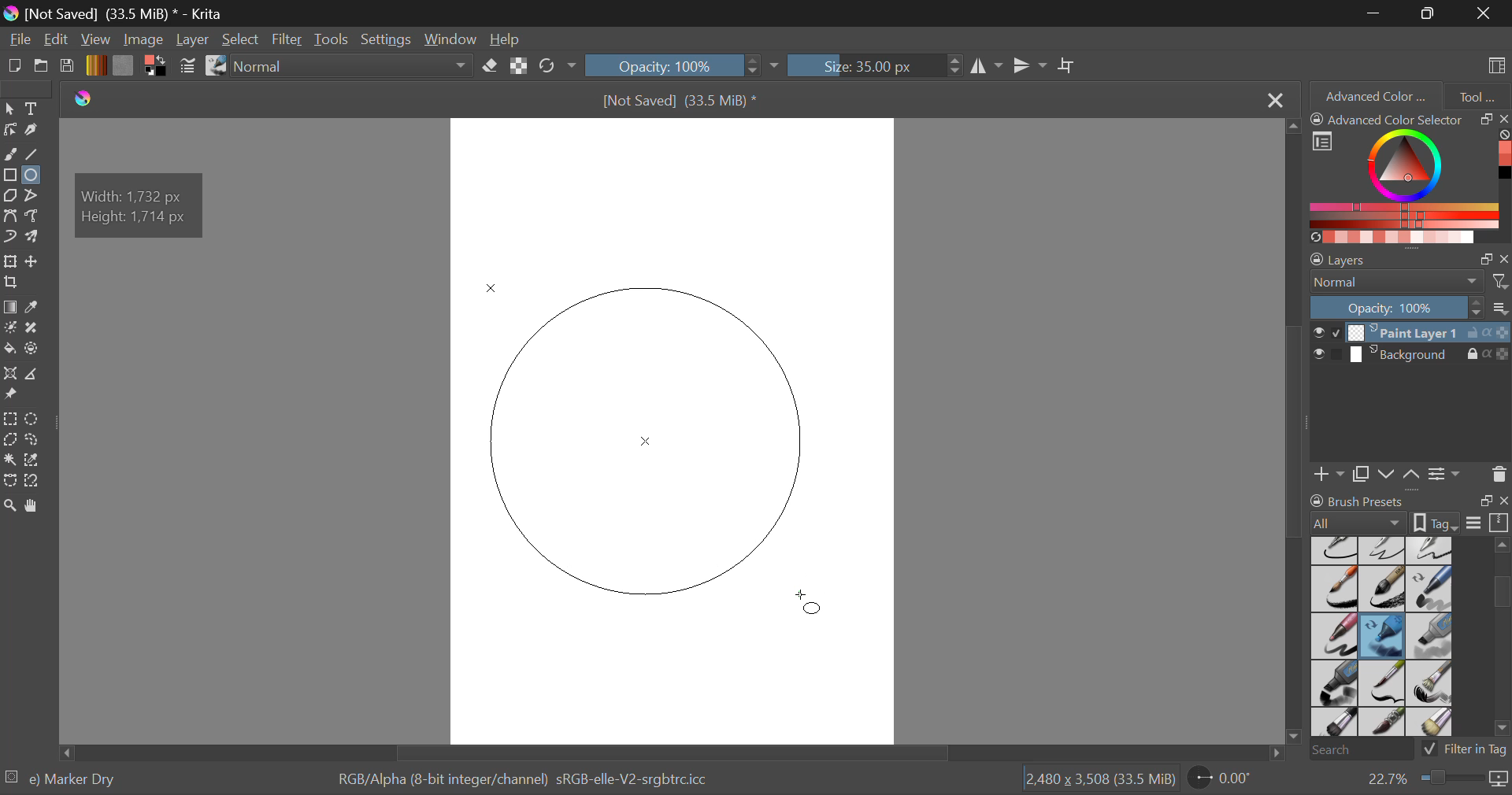 This screenshot has width=1512, height=795. I want to click on Background Layer, so click(1410, 357).